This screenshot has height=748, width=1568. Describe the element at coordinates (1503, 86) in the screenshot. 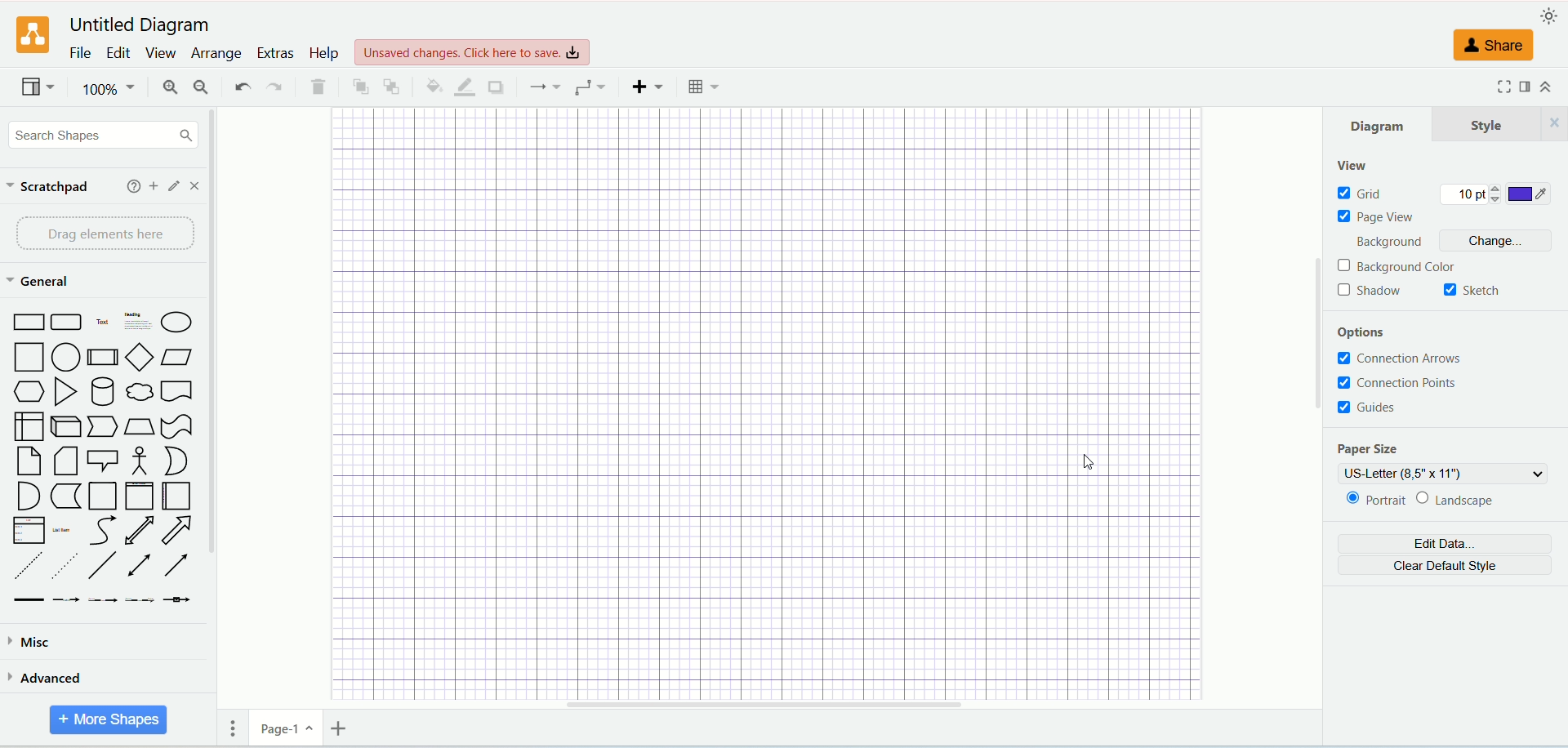

I see `fullscreen` at that location.